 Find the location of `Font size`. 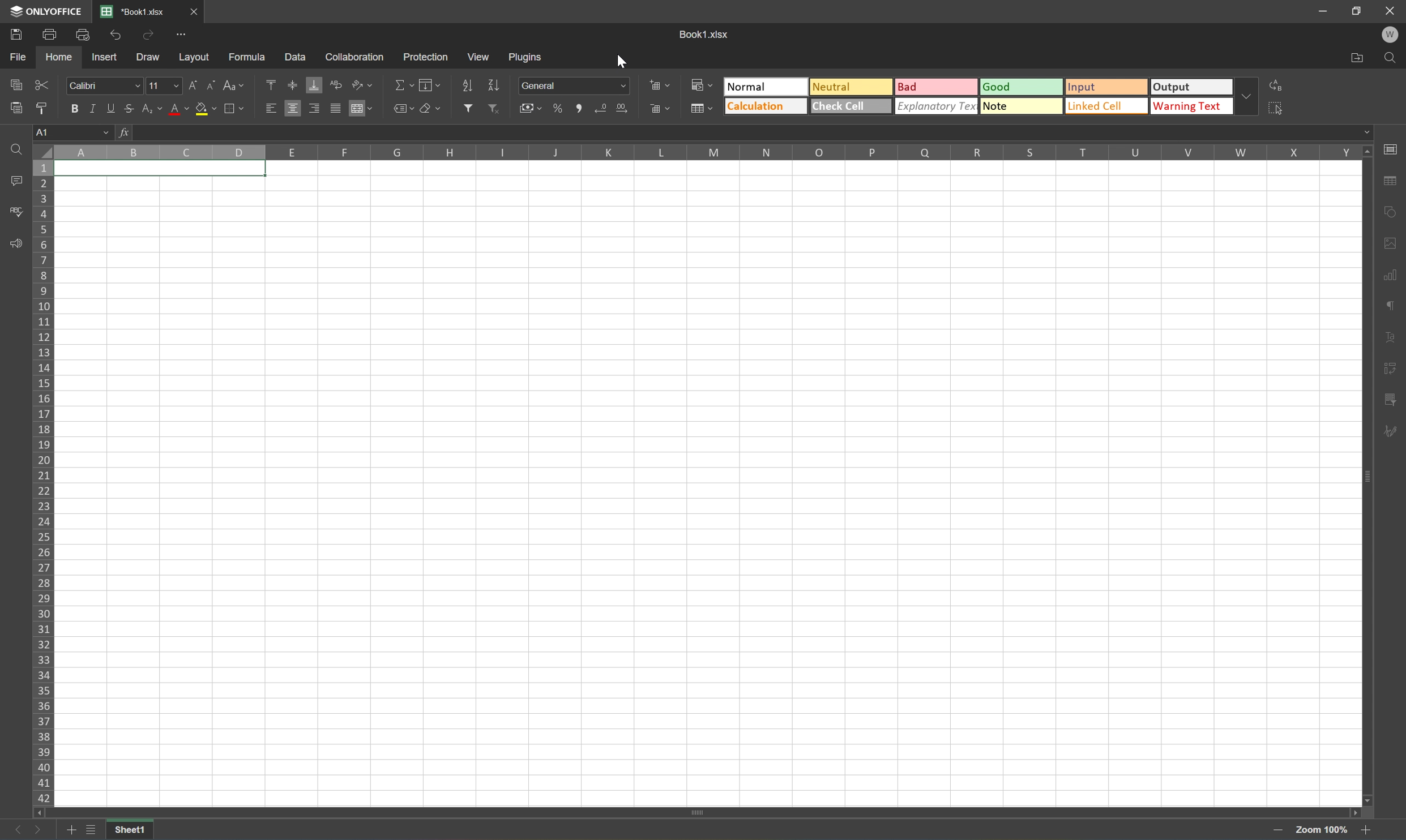

Font size is located at coordinates (163, 87).